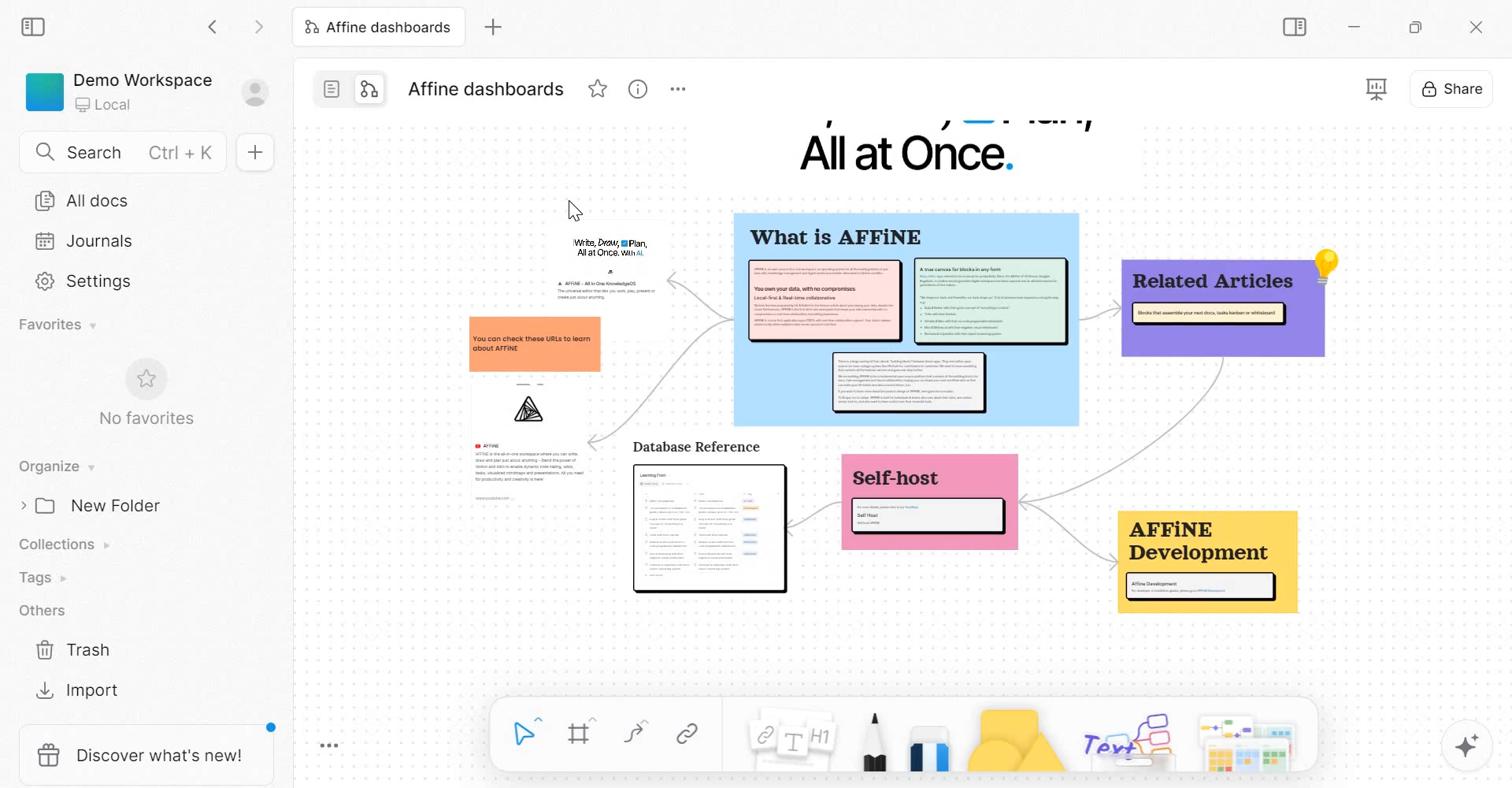 This screenshot has height=788, width=1512. What do you see at coordinates (634, 734) in the screenshot?
I see `curve` at bounding box center [634, 734].